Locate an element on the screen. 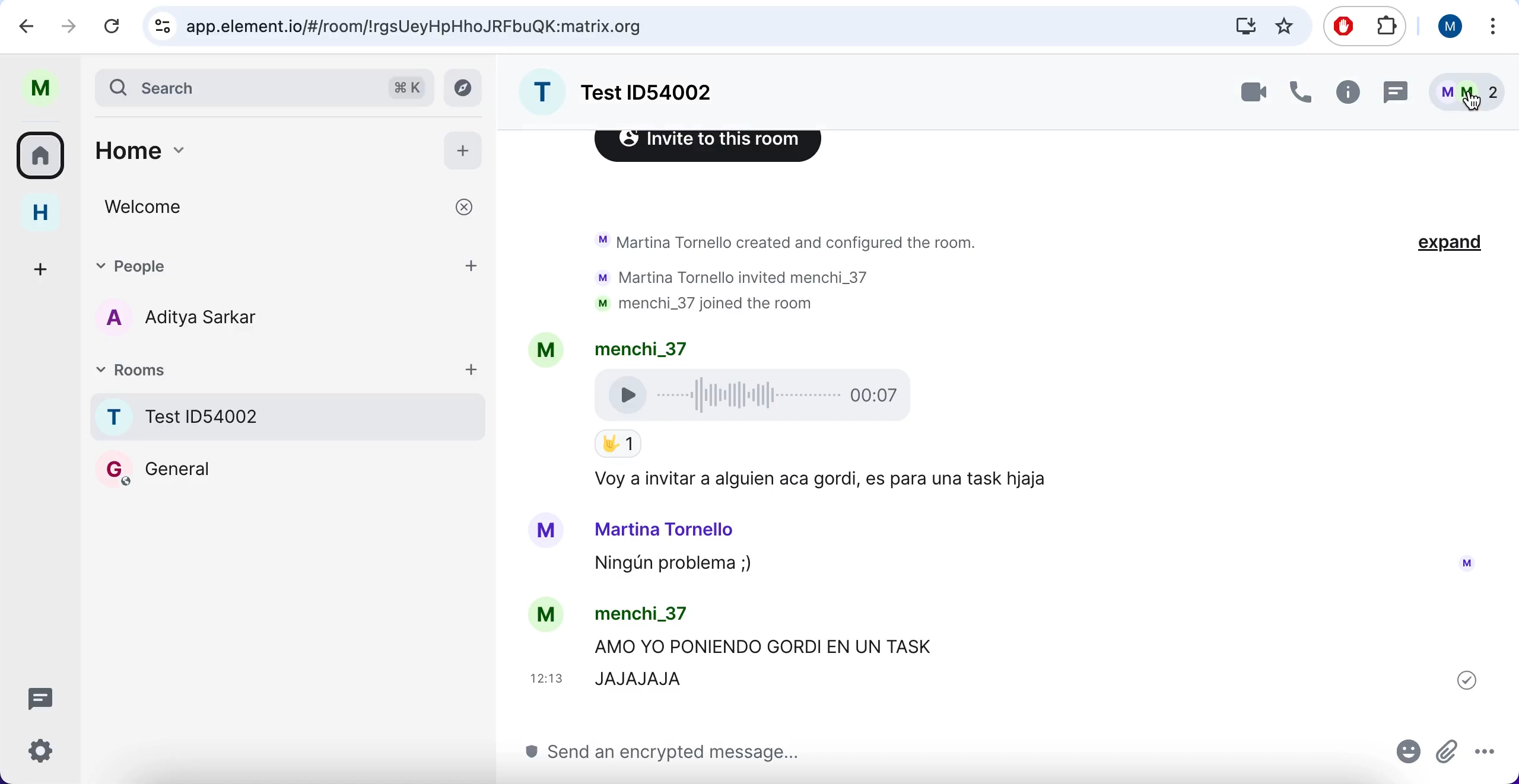 Image resolution: width=1519 pixels, height=784 pixels. sent is located at coordinates (1467, 680).